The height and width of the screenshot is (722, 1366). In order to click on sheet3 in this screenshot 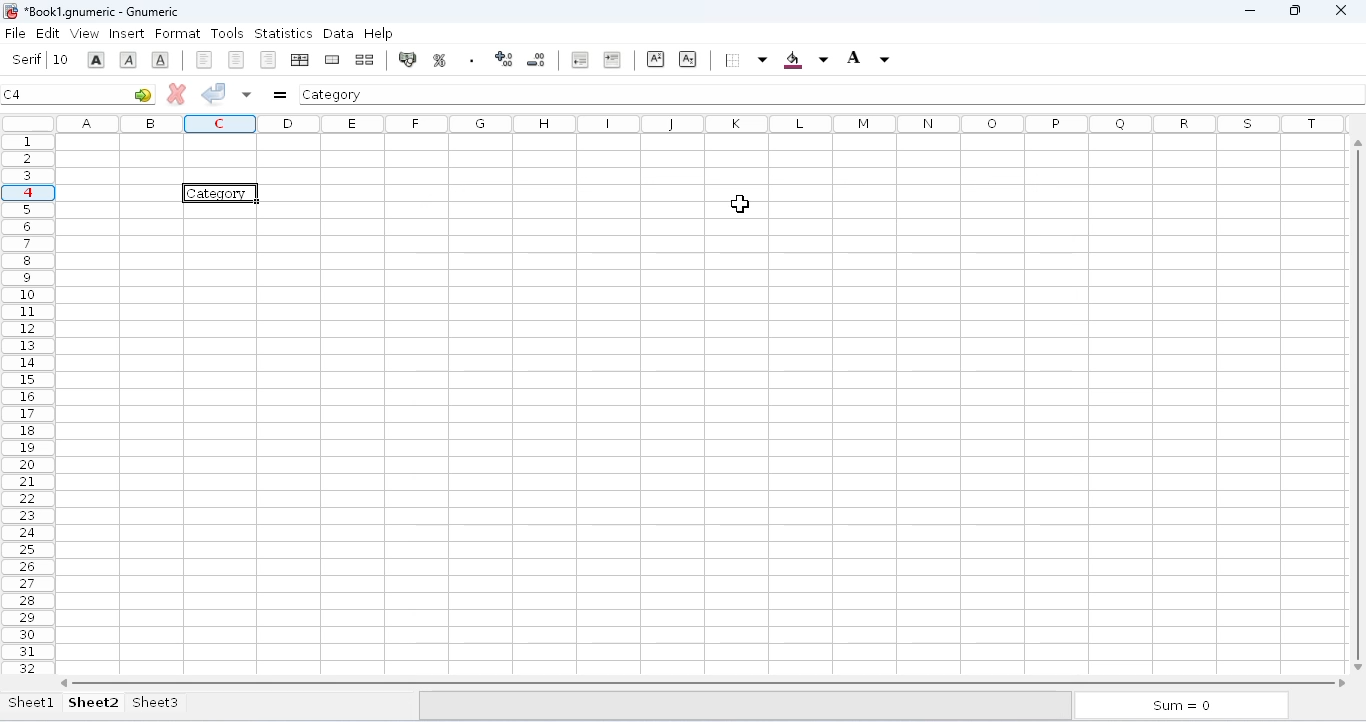, I will do `click(155, 702)`.